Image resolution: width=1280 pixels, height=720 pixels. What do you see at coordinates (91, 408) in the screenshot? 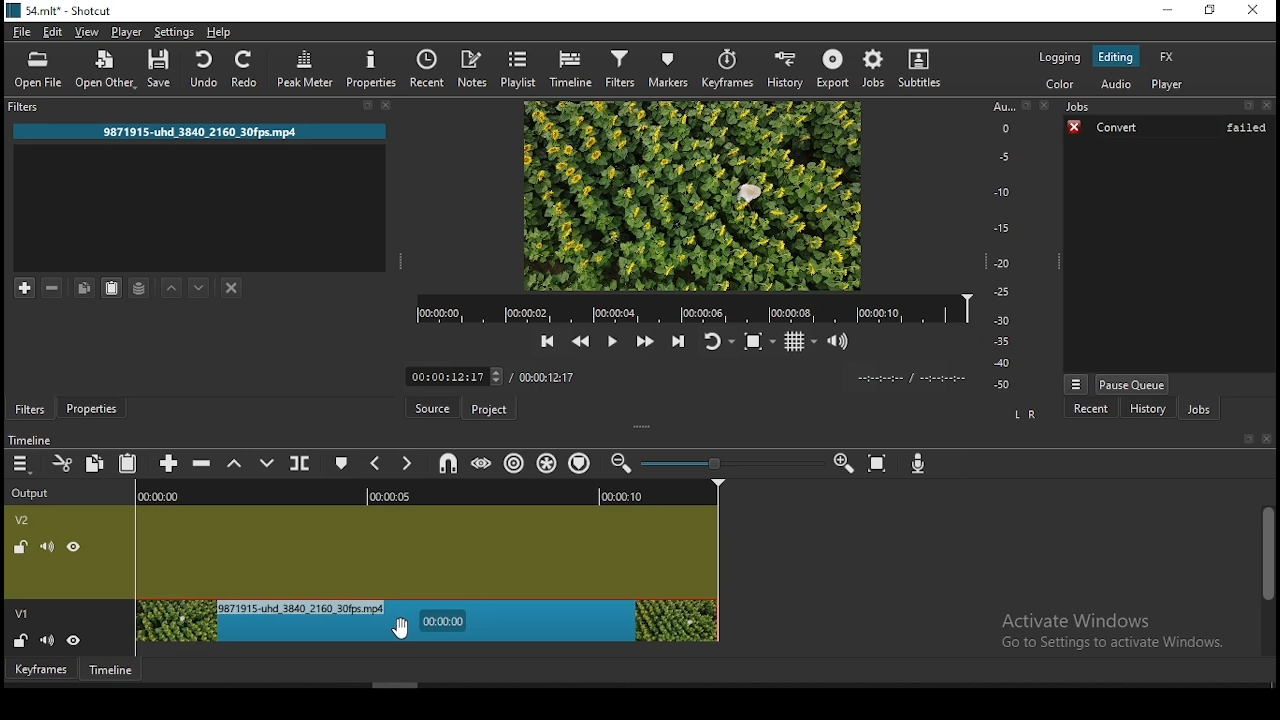
I see `properties` at bounding box center [91, 408].